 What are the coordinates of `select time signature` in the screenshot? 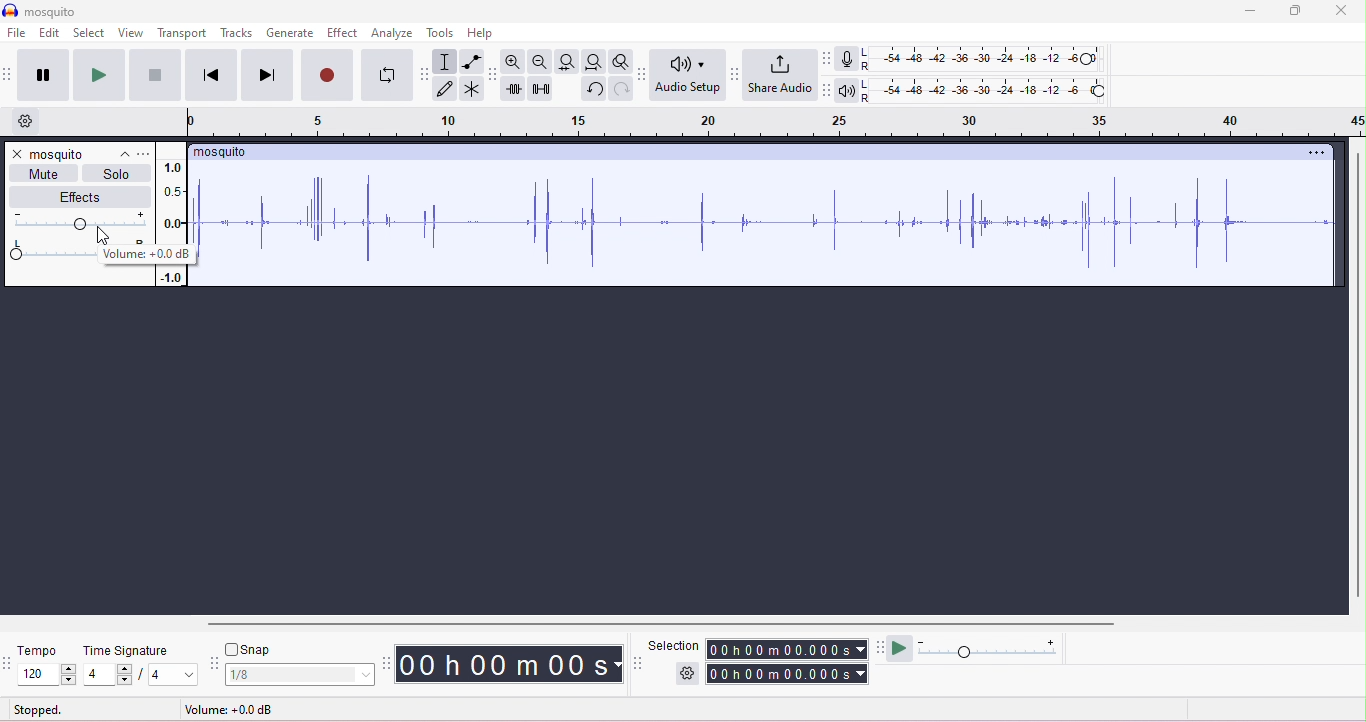 It's located at (167, 675).